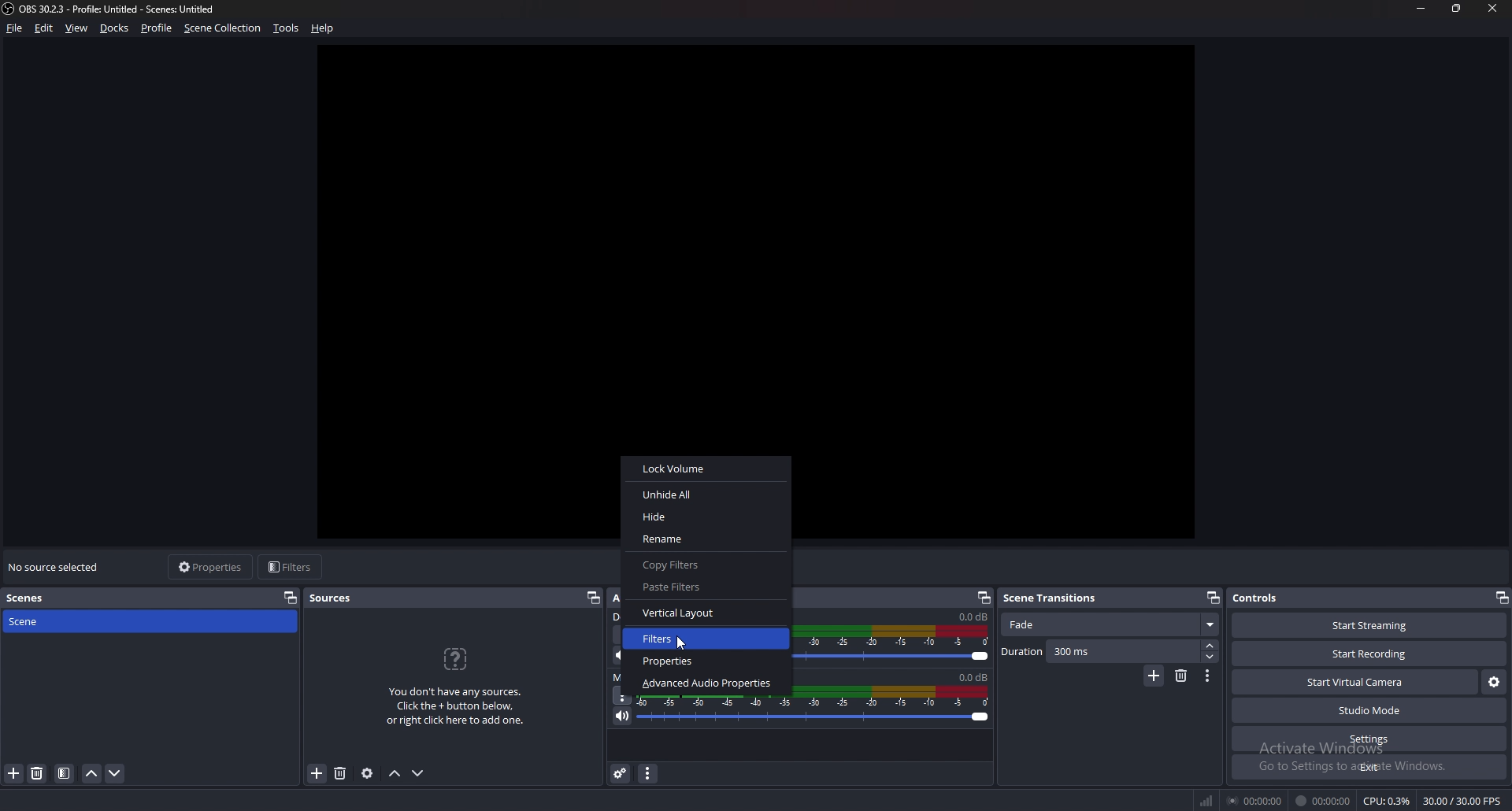 This screenshot has height=811, width=1512. What do you see at coordinates (668, 518) in the screenshot?
I see `Hide` at bounding box center [668, 518].